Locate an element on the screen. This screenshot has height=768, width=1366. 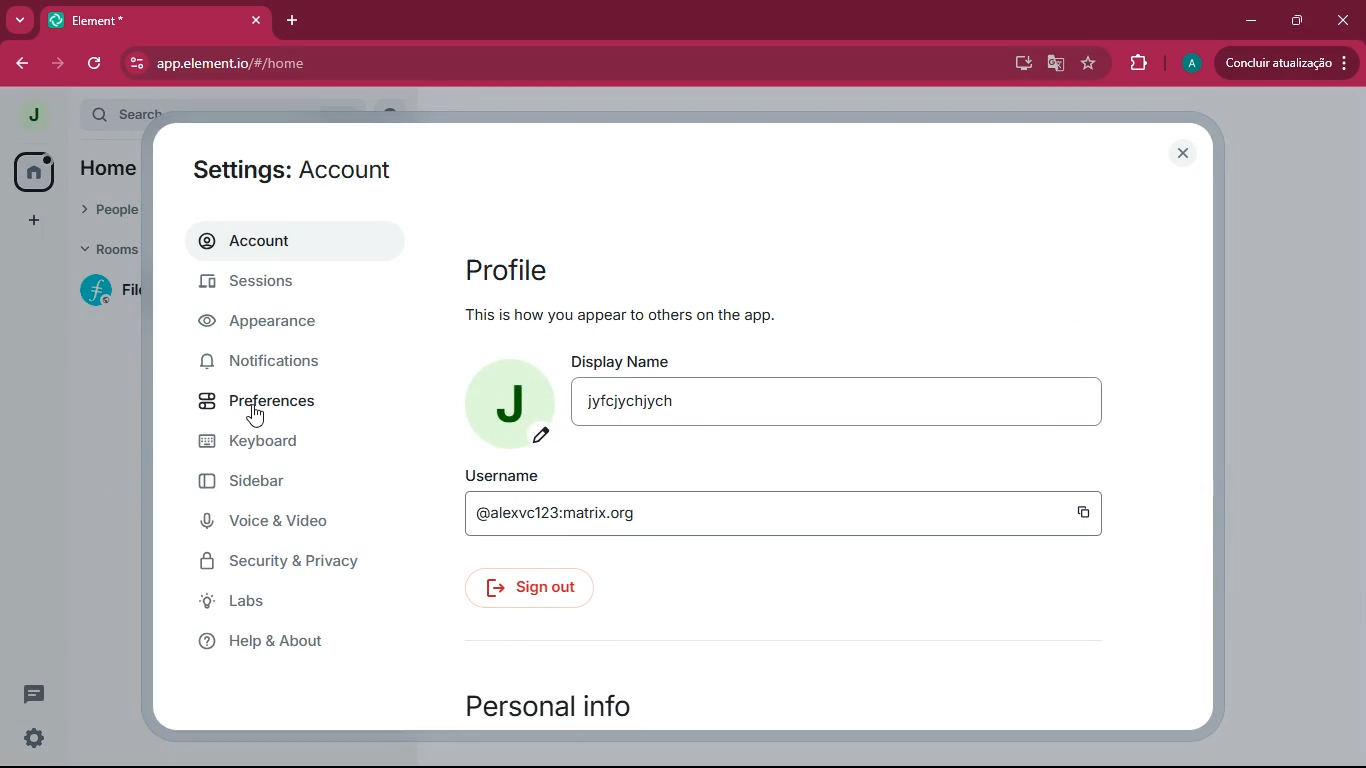
maximize is located at coordinates (1297, 20).